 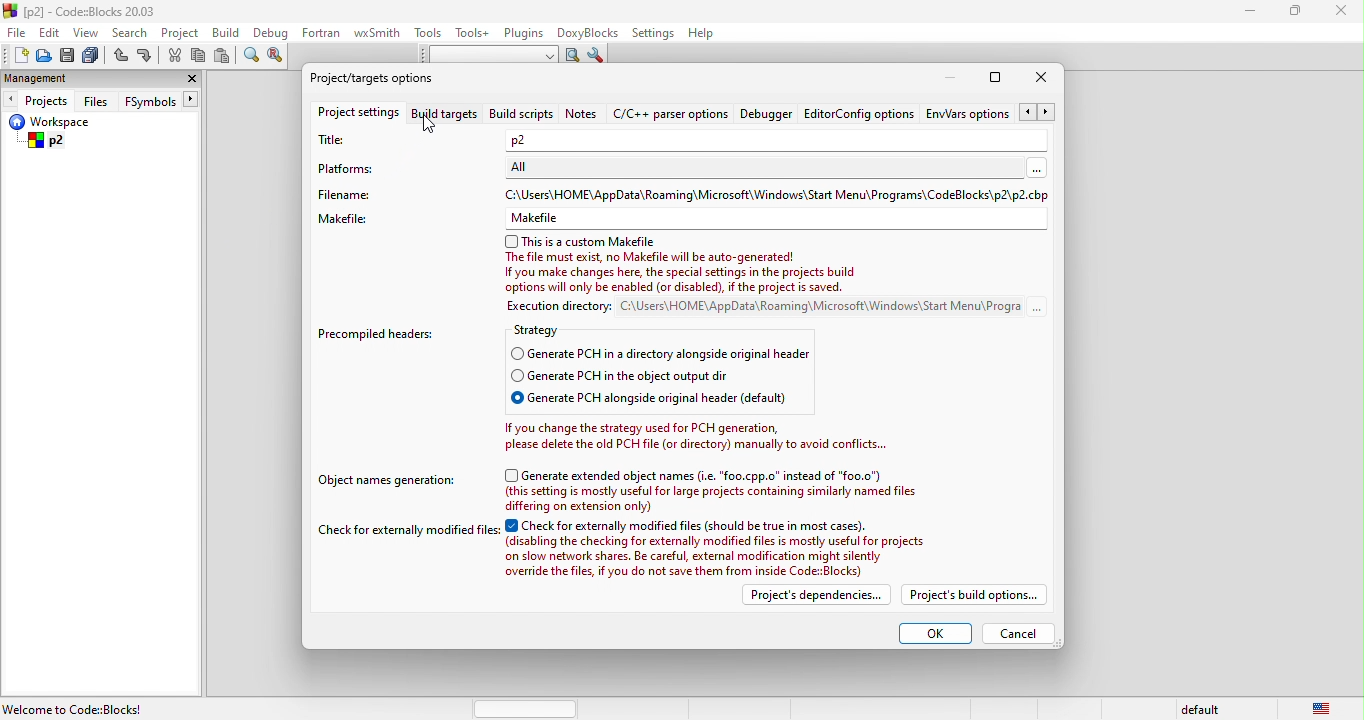 I want to click on projects dependencies, so click(x=813, y=595).